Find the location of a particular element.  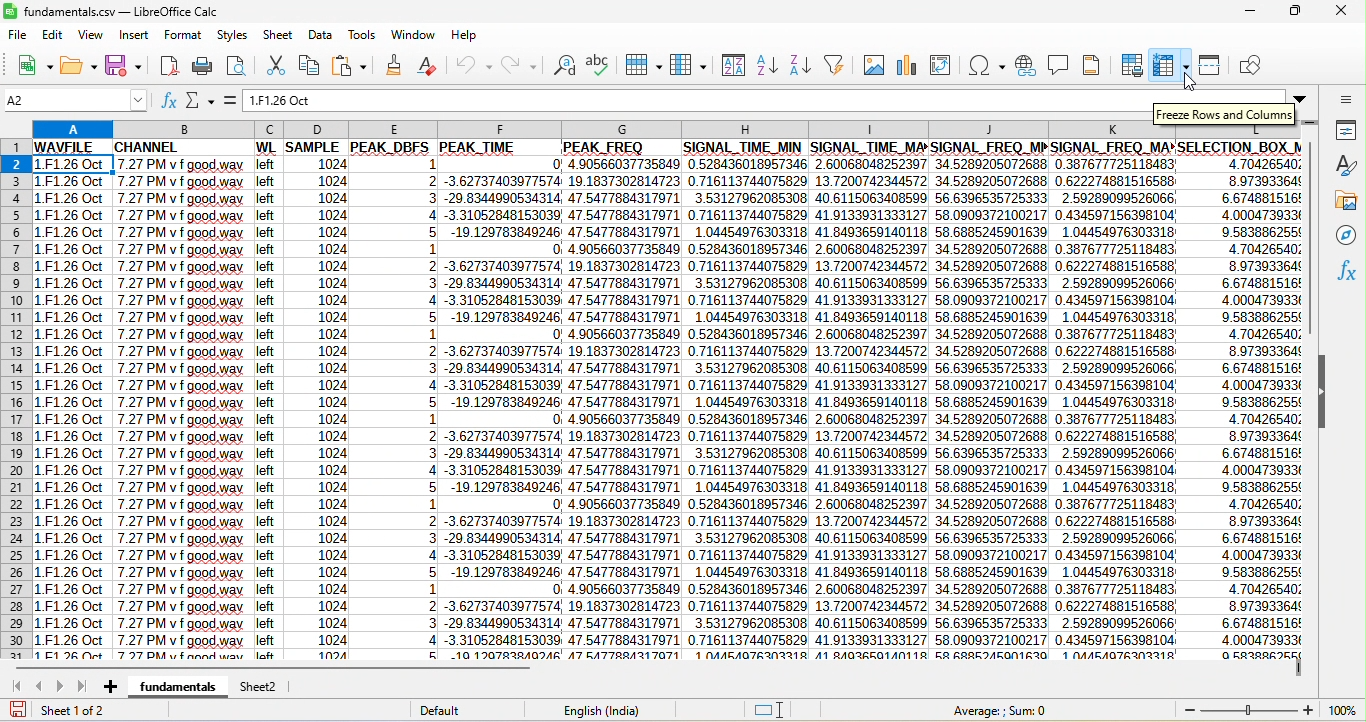

rows is located at coordinates (643, 64).